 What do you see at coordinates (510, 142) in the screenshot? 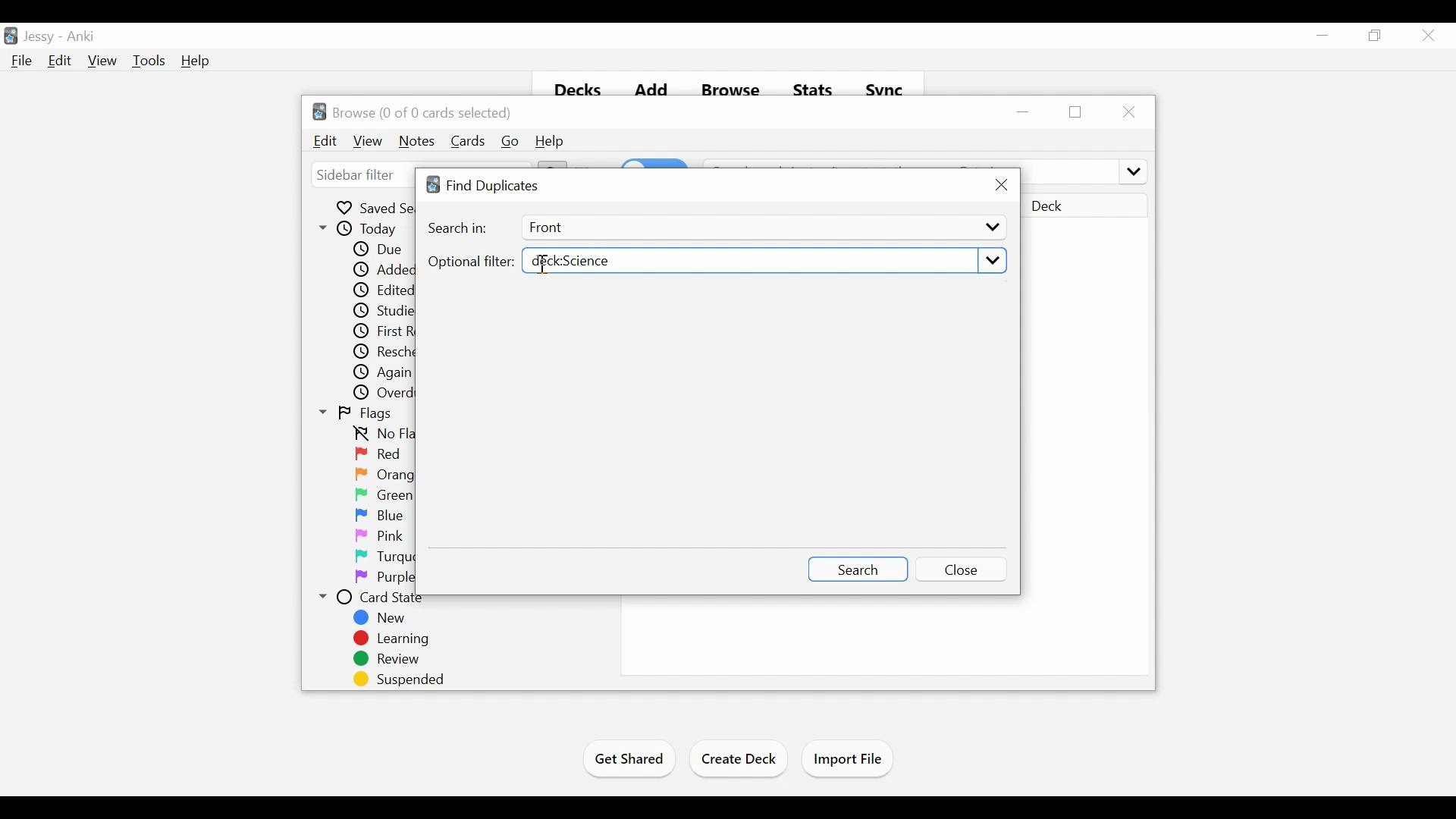
I see `Go` at bounding box center [510, 142].